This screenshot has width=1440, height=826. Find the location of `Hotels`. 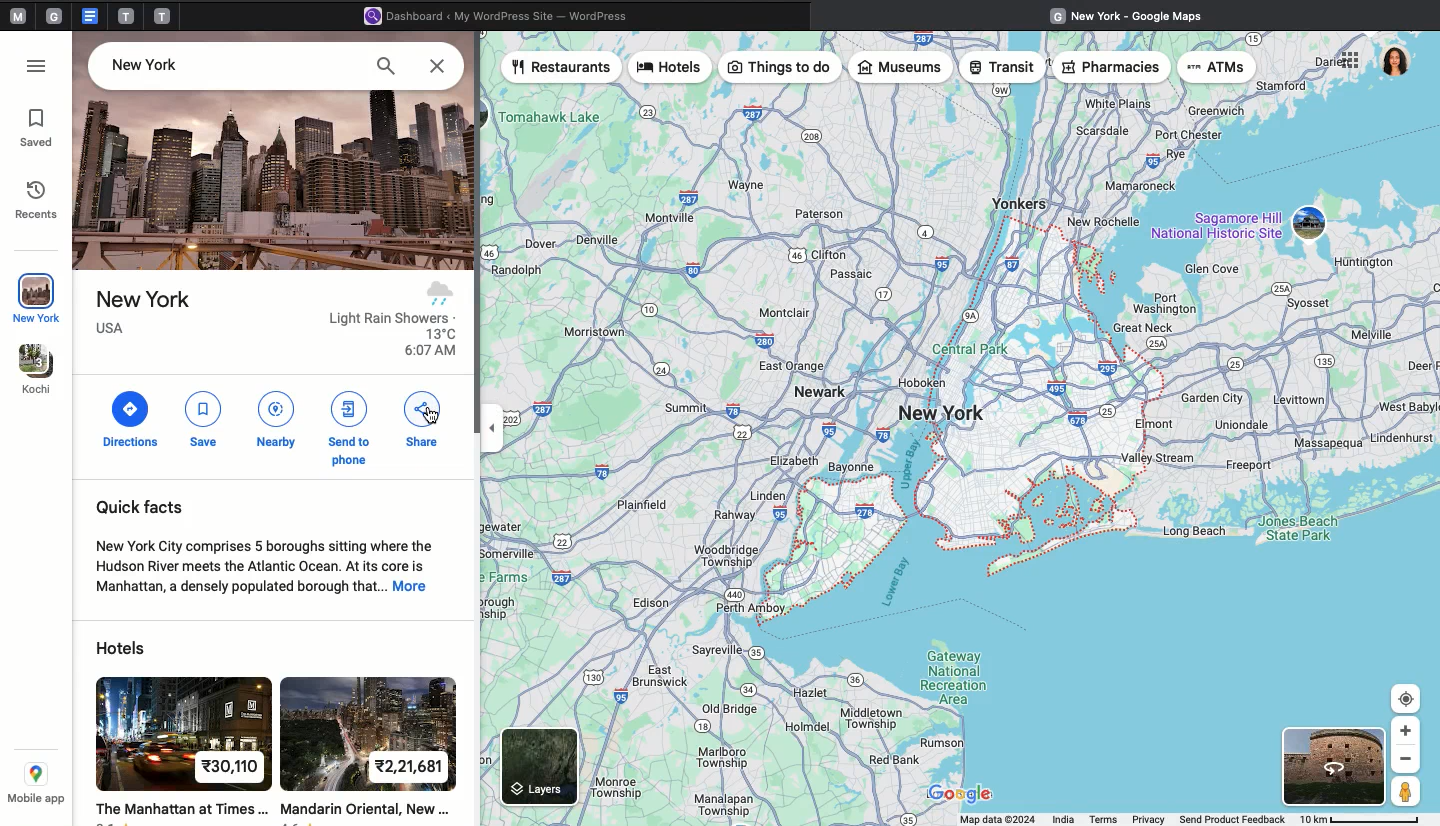

Hotels is located at coordinates (121, 643).